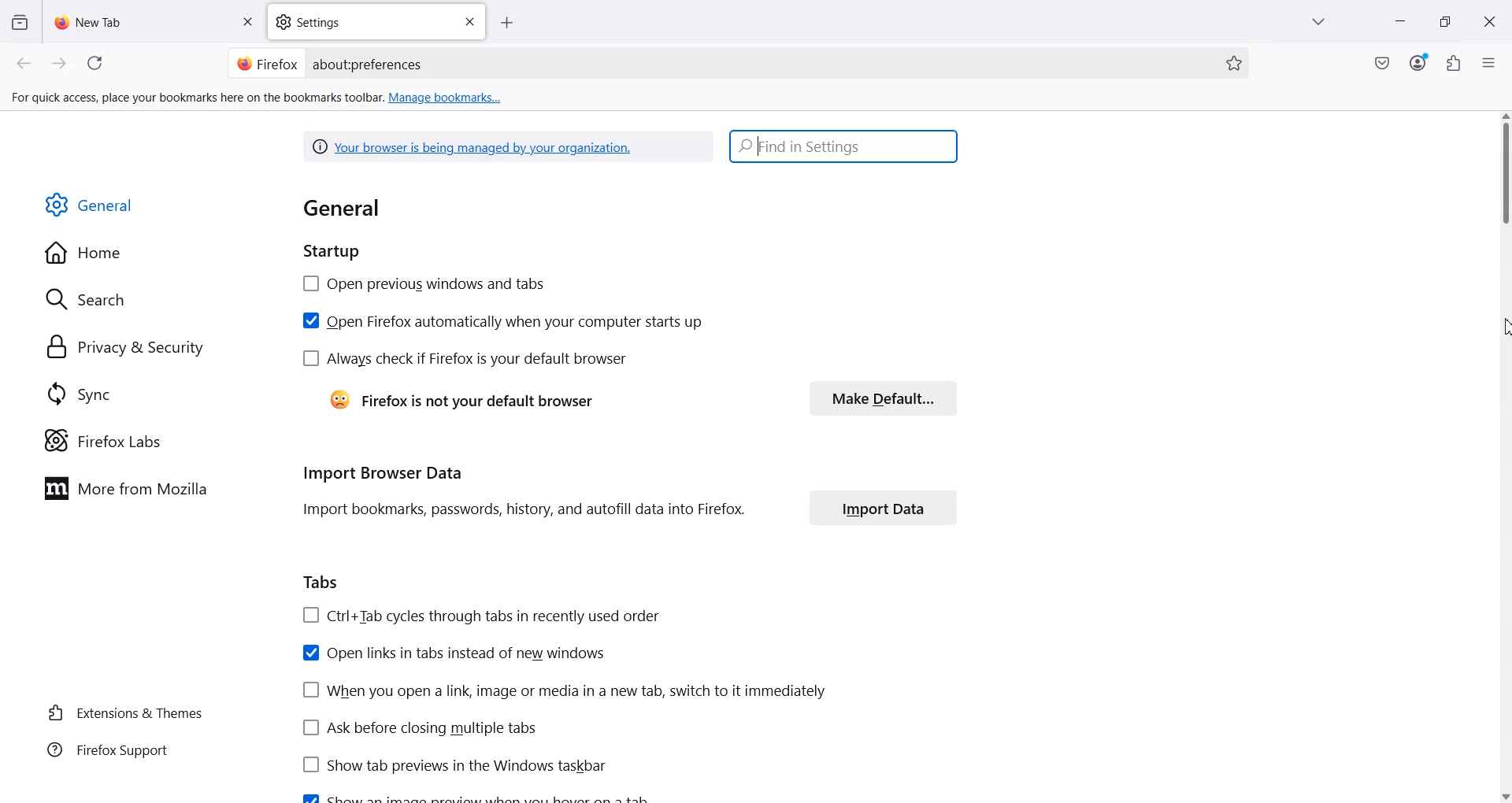 The height and width of the screenshot is (803, 1512). What do you see at coordinates (267, 62) in the screenshot?
I see `Firefox` at bounding box center [267, 62].